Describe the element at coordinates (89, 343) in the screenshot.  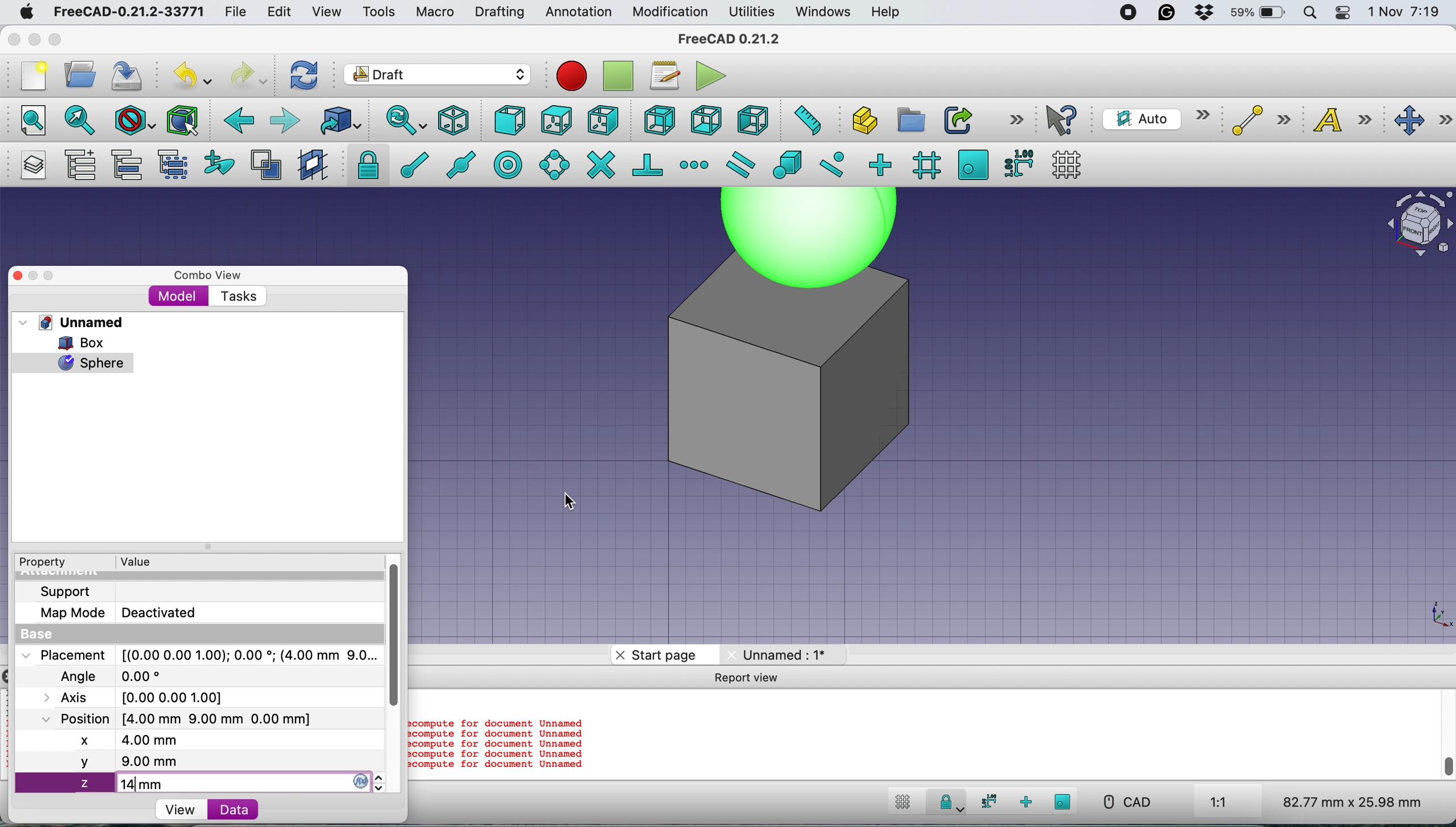
I see `box` at that location.